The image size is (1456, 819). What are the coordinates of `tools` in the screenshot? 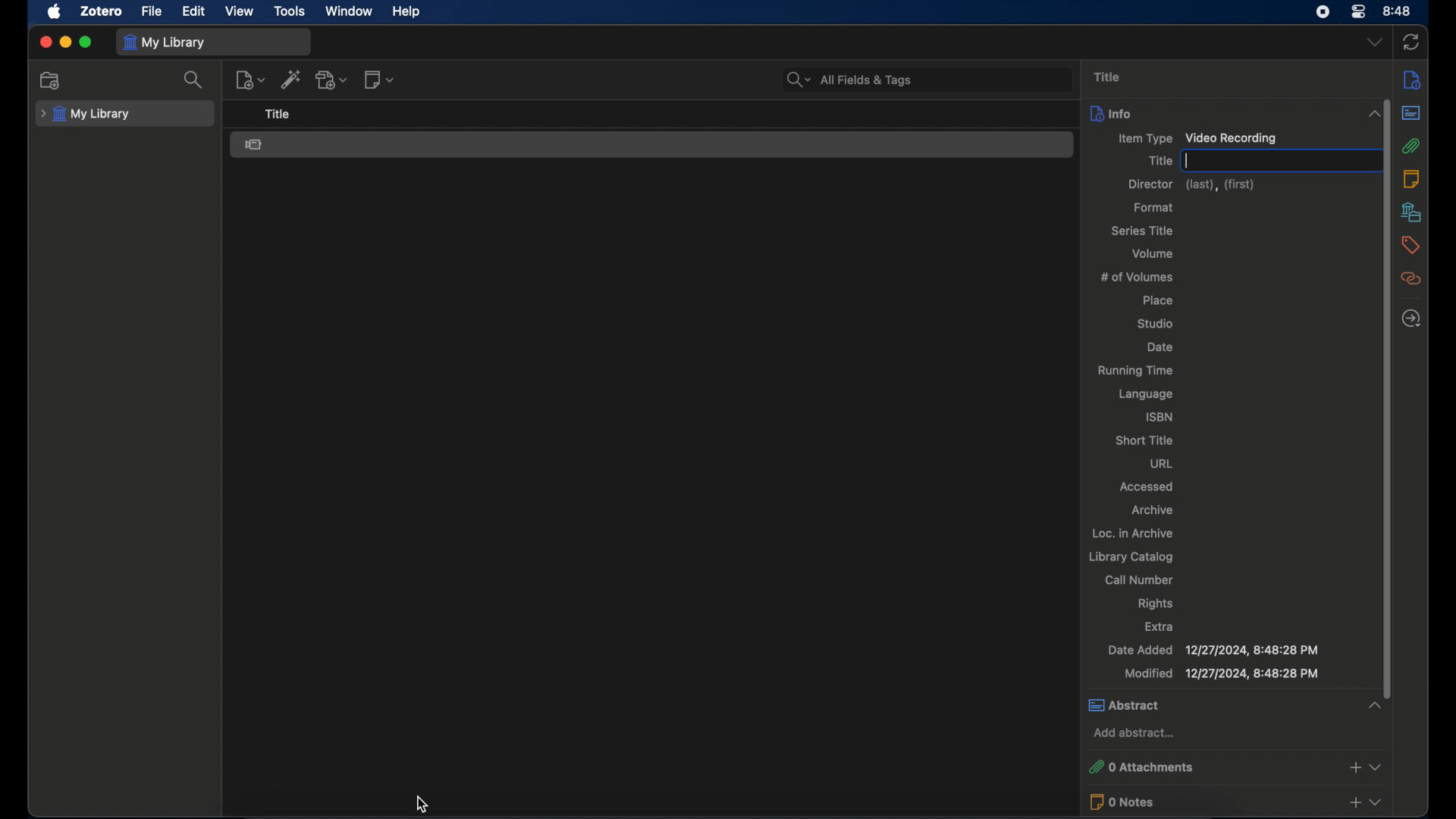 It's located at (290, 11).